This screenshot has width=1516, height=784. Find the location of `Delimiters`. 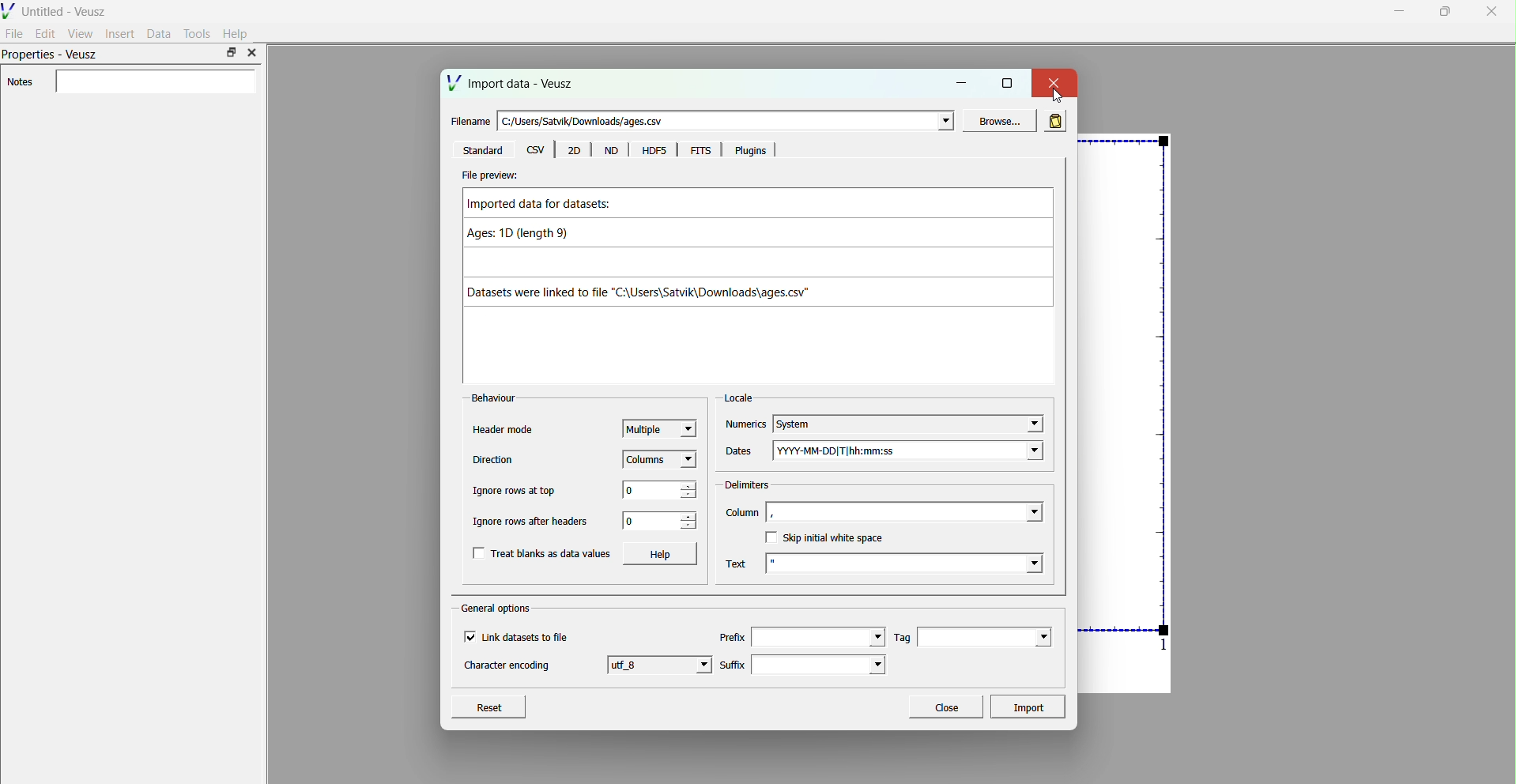

Delimiters is located at coordinates (747, 484).